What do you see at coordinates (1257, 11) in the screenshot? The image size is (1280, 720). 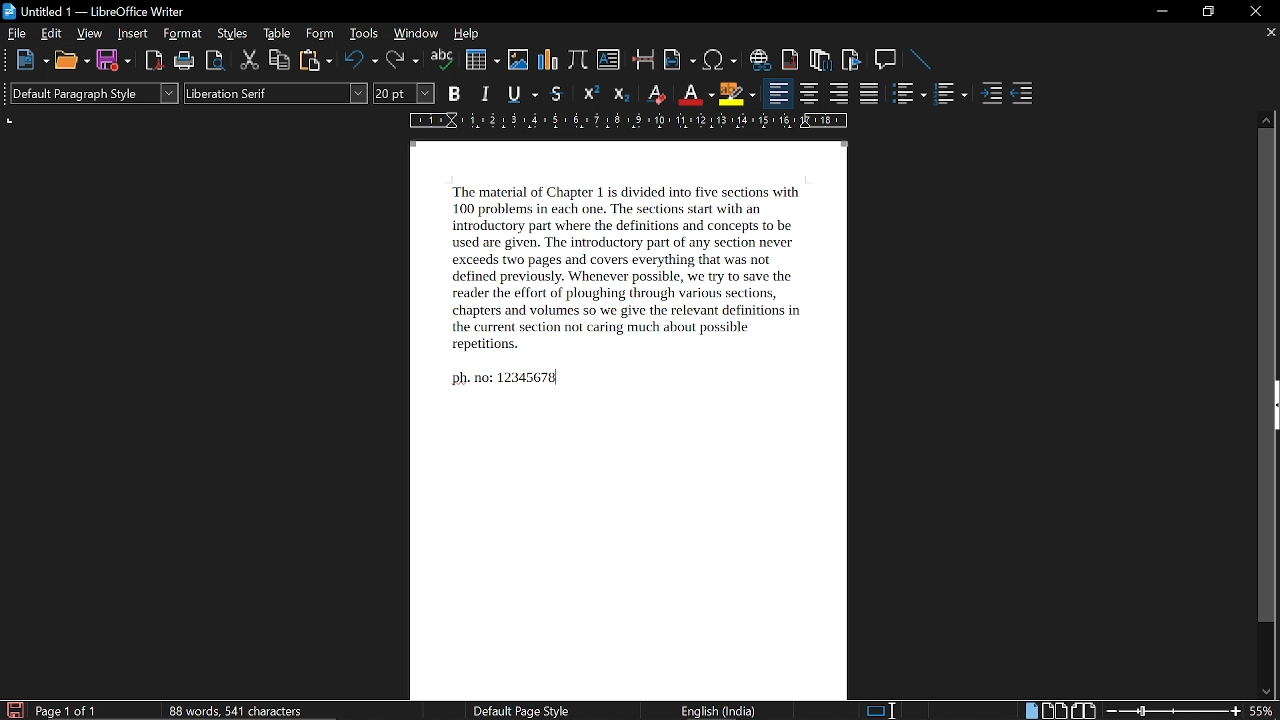 I see `close` at bounding box center [1257, 11].